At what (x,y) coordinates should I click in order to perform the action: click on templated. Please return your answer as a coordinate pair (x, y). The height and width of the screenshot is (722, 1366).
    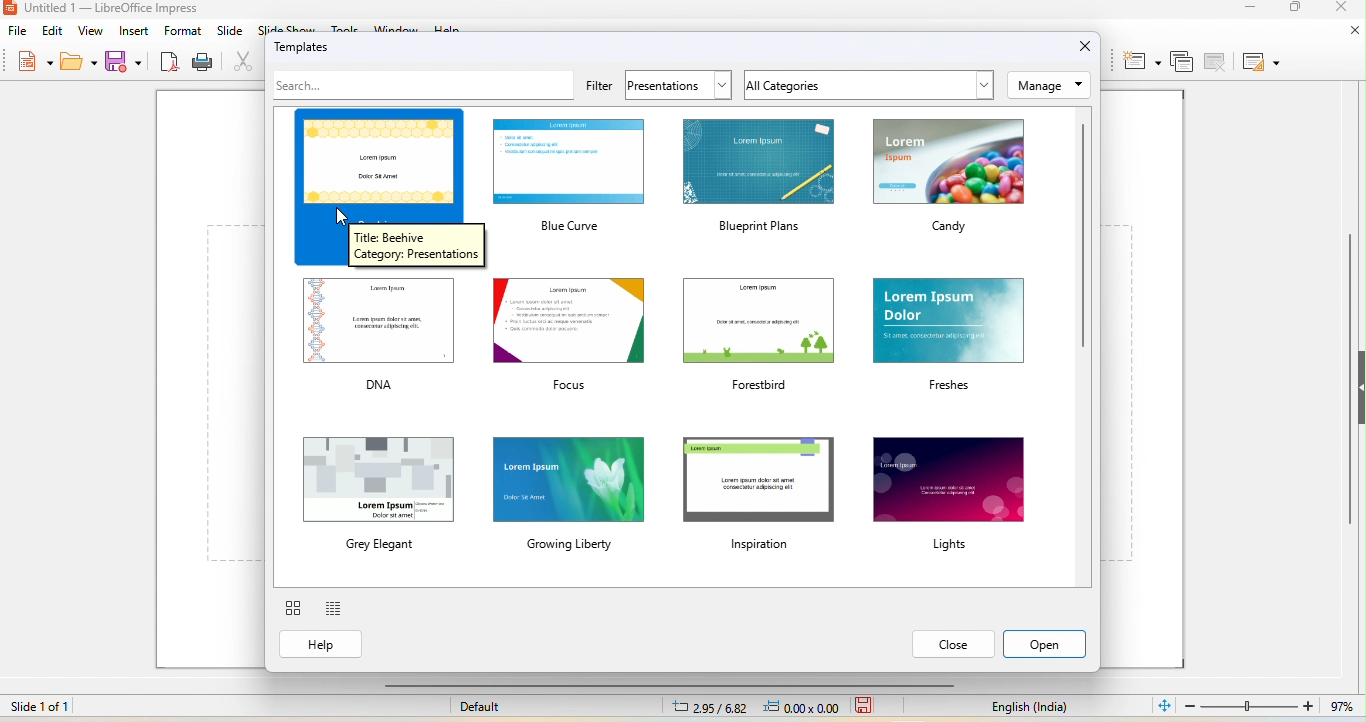
    Looking at the image, I should click on (308, 47).